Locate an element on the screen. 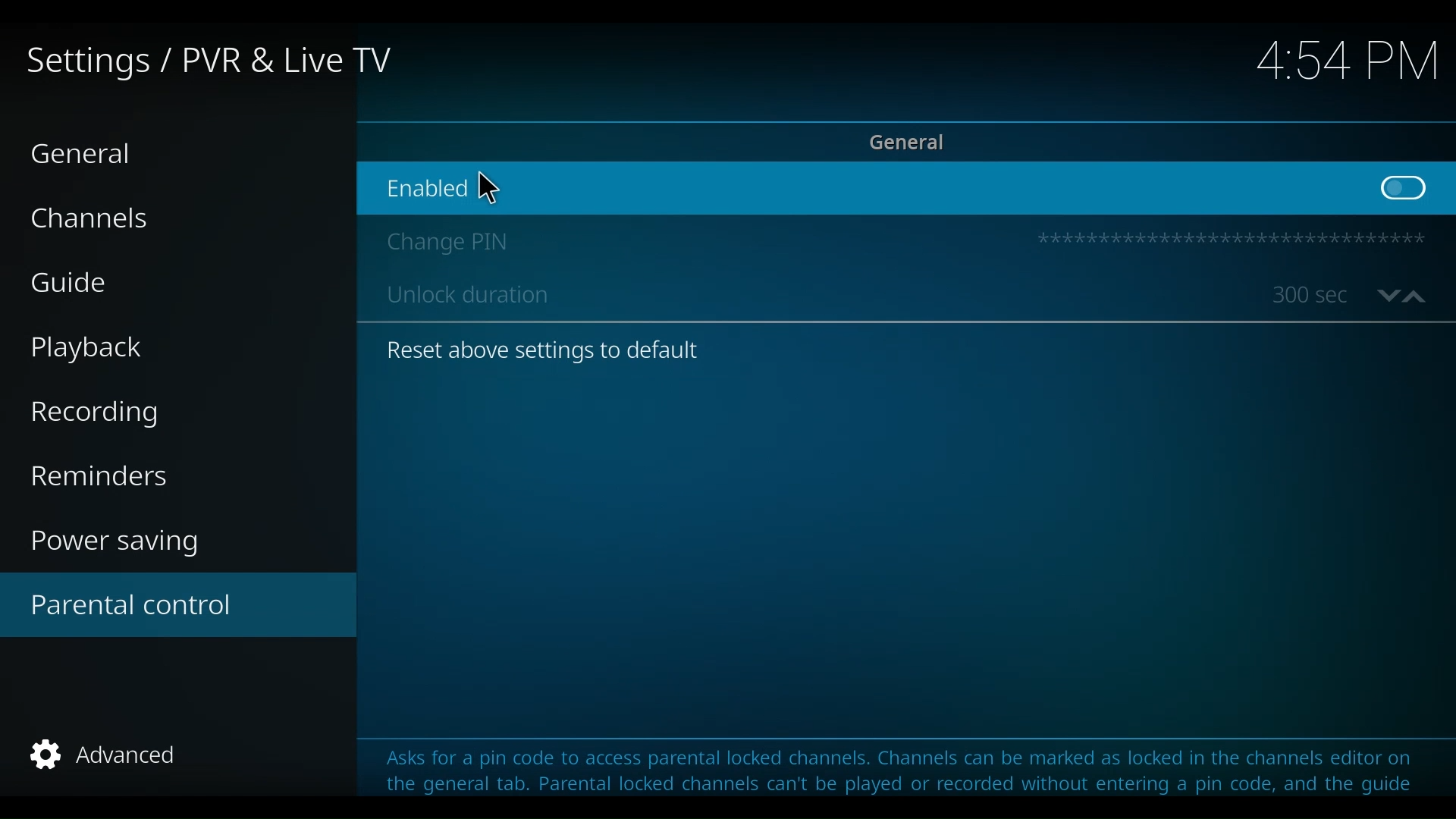  Channels is located at coordinates (86, 220).